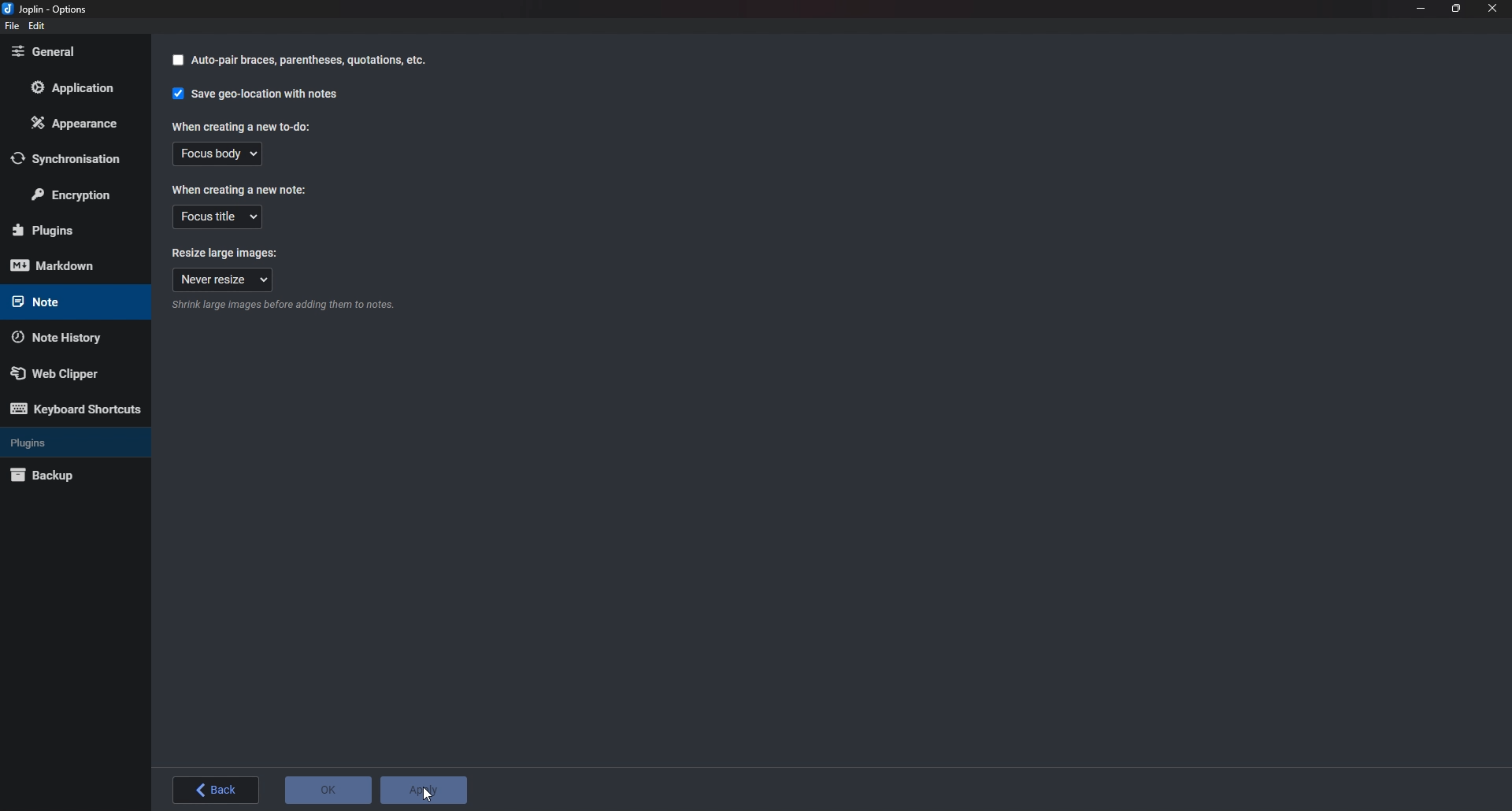  Describe the element at coordinates (69, 265) in the screenshot. I see `Mark down` at that location.